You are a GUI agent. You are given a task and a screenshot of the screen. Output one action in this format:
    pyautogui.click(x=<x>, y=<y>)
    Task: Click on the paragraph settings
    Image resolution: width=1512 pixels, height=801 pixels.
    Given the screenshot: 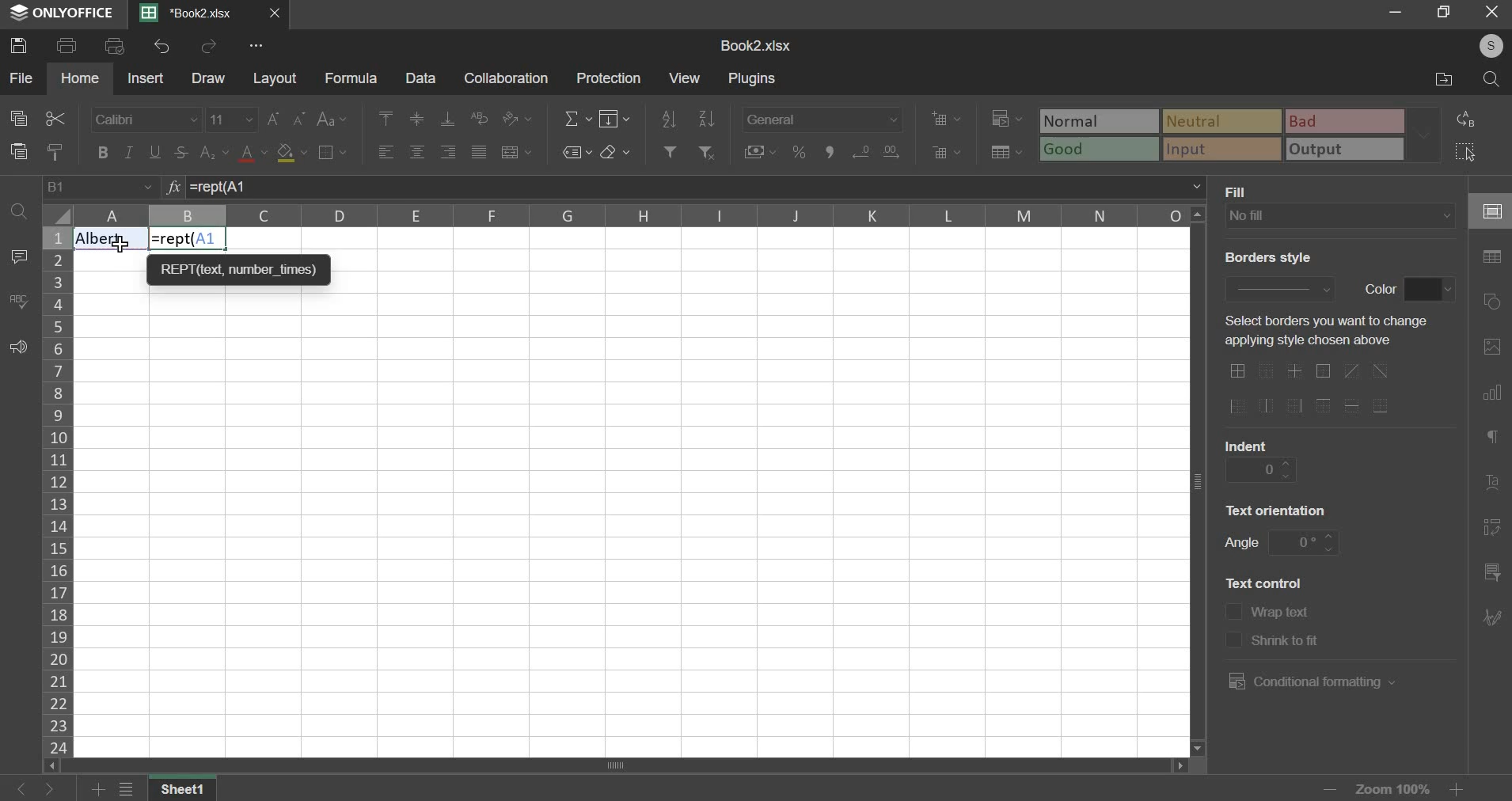 What is the action you would take?
    pyautogui.click(x=1496, y=440)
    